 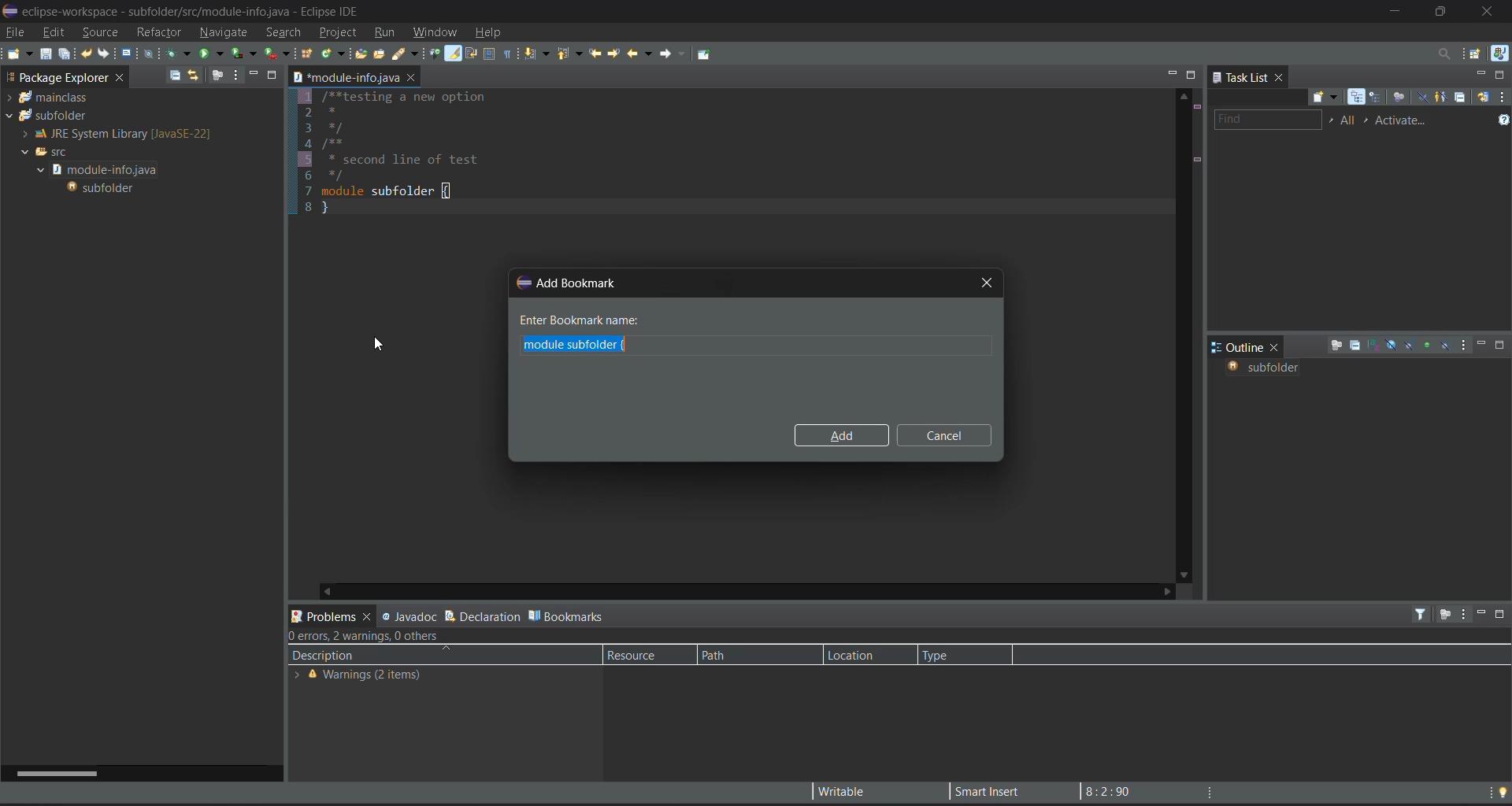 What do you see at coordinates (159, 30) in the screenshot?
I see `refractor` at bounding box center [159, 30].